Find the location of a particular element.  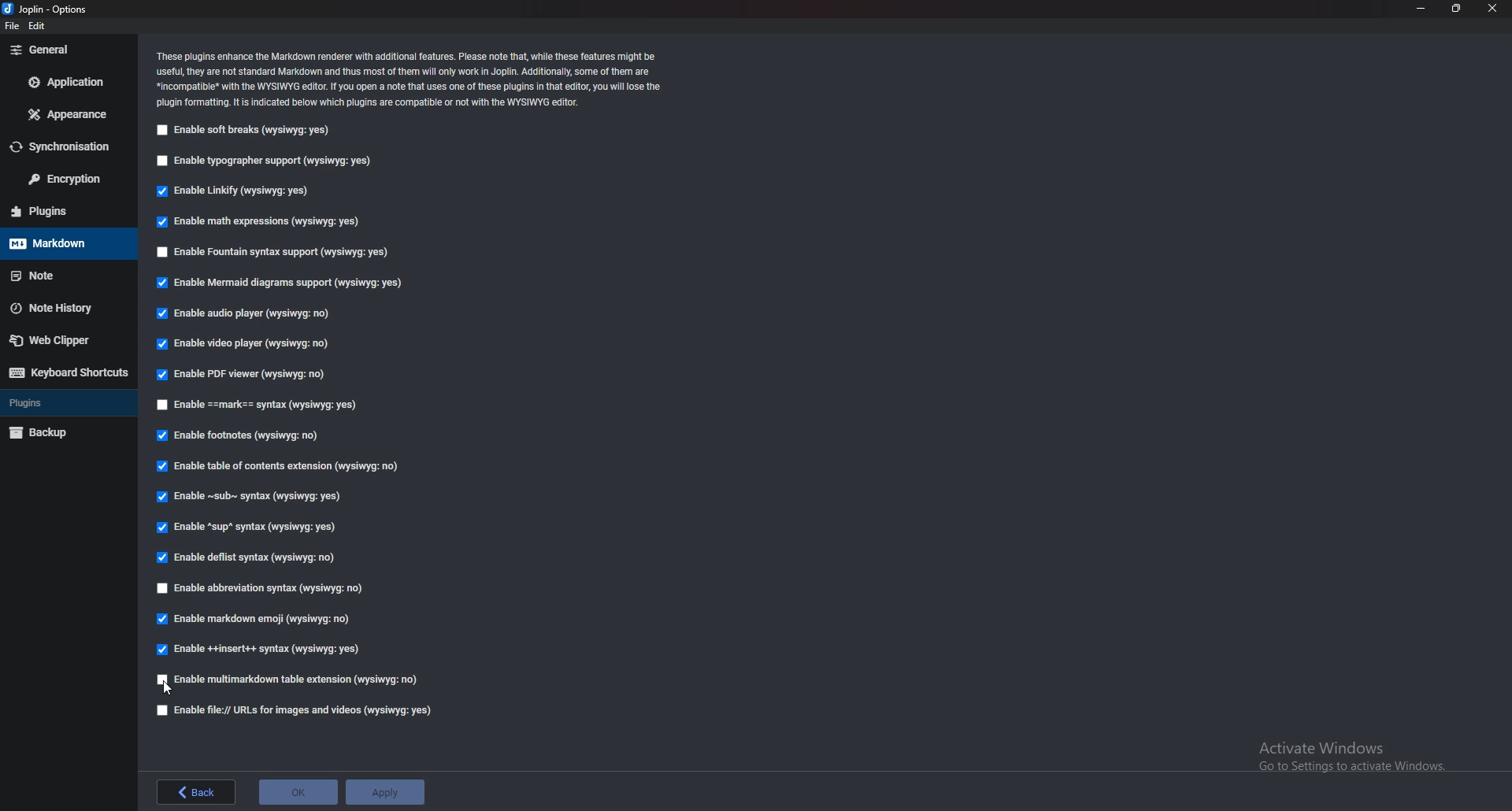

enable soft breaks is located at coordinates (249, 131).